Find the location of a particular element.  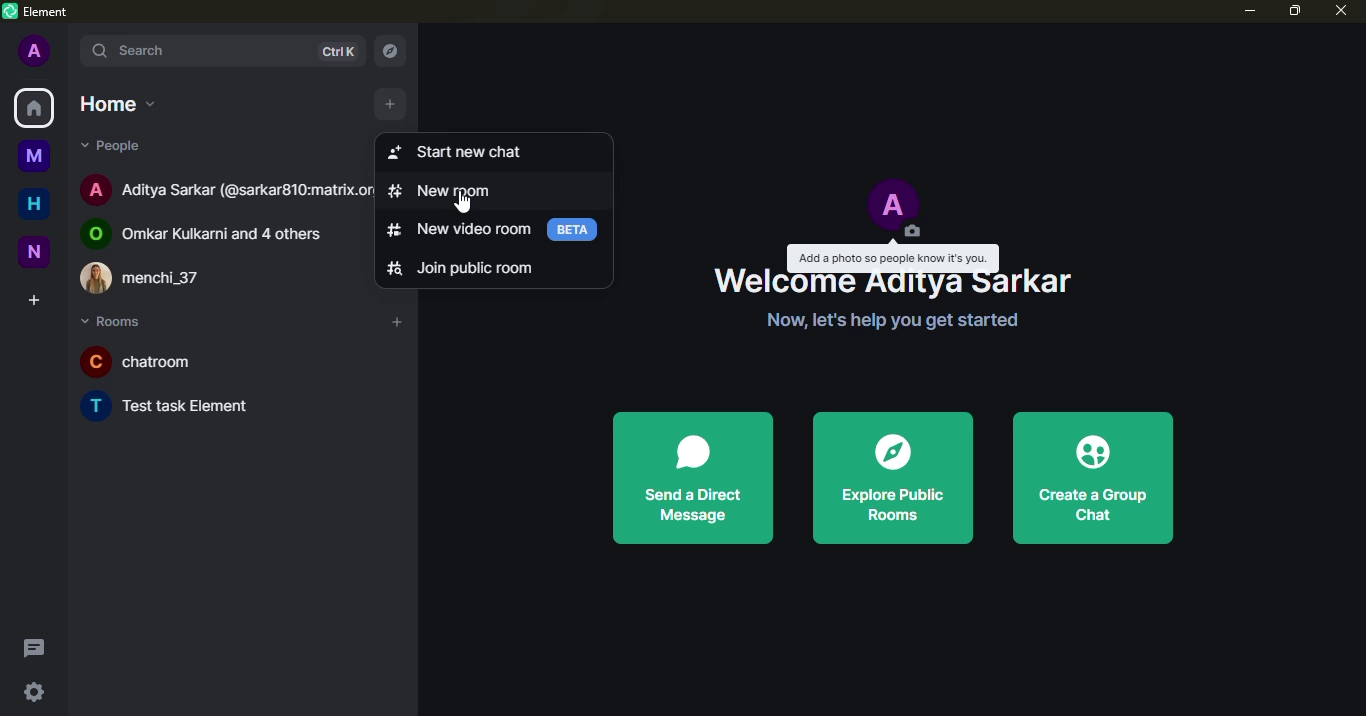

new room is located at coordinates (443, 191).